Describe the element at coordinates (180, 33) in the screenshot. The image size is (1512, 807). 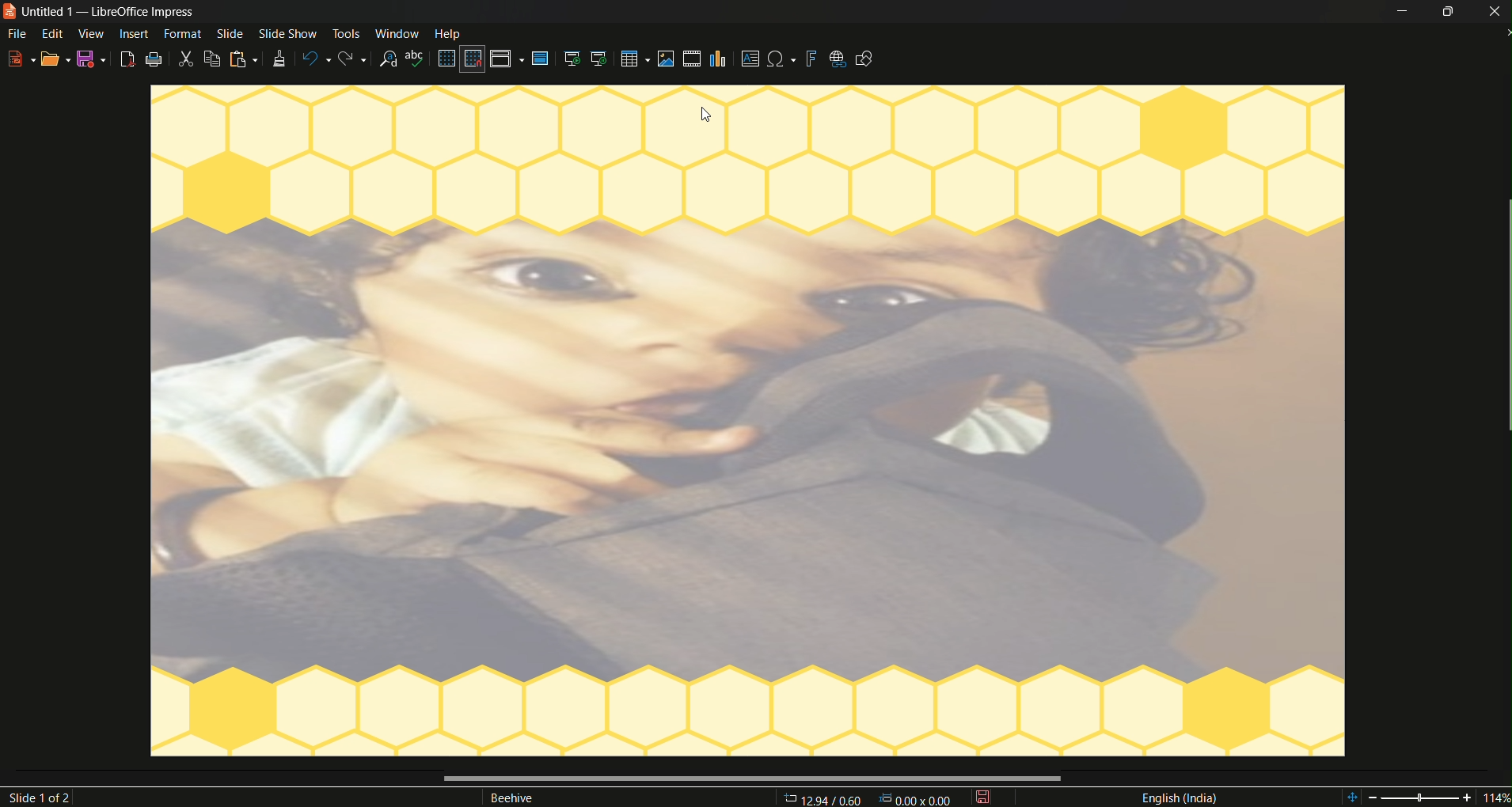
I see `format` at that location.